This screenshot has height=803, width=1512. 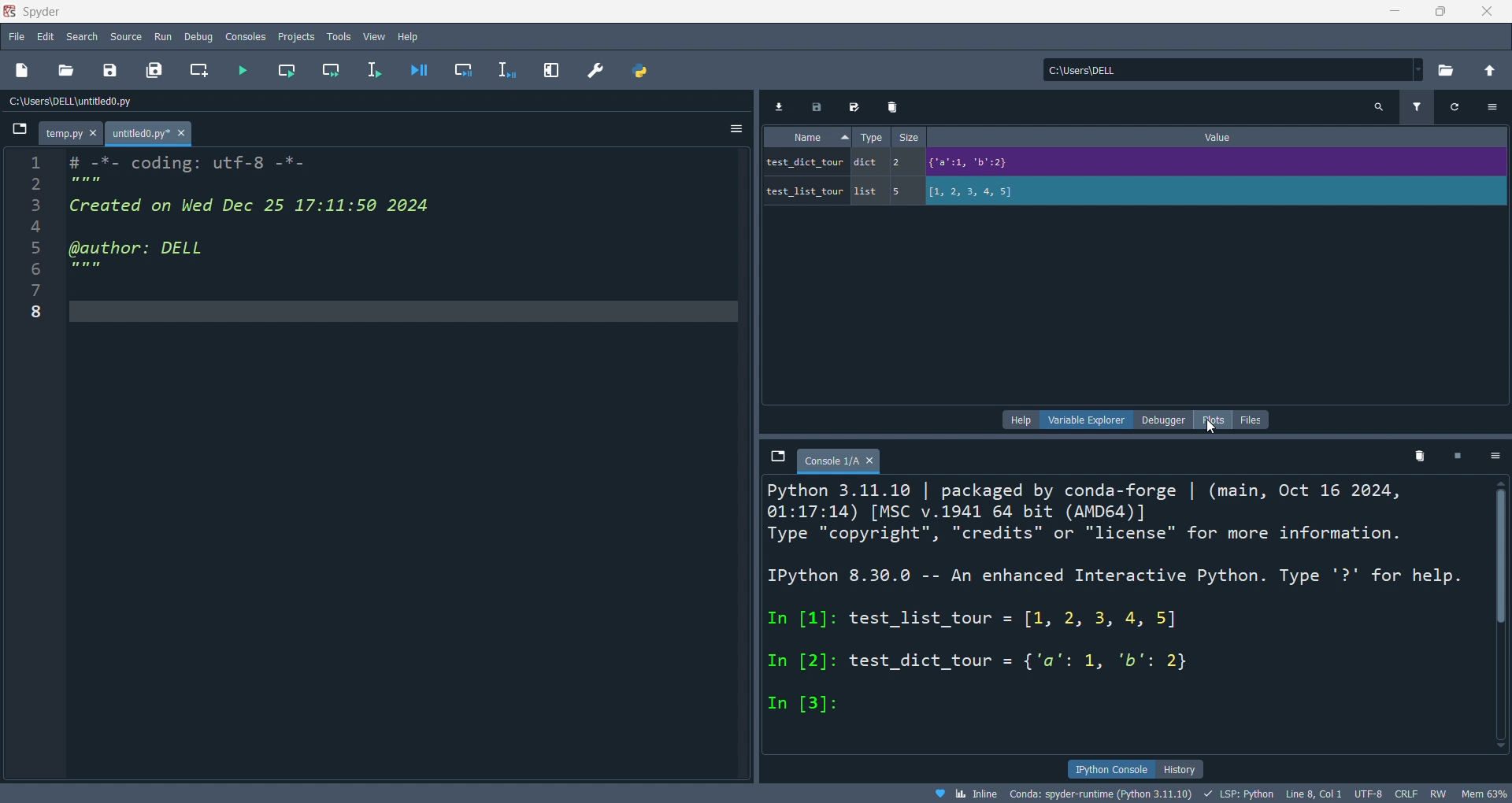 What do you see at coordinates (84, 37) in the screenshot?
I see `search` at bounding box center [84, 37].